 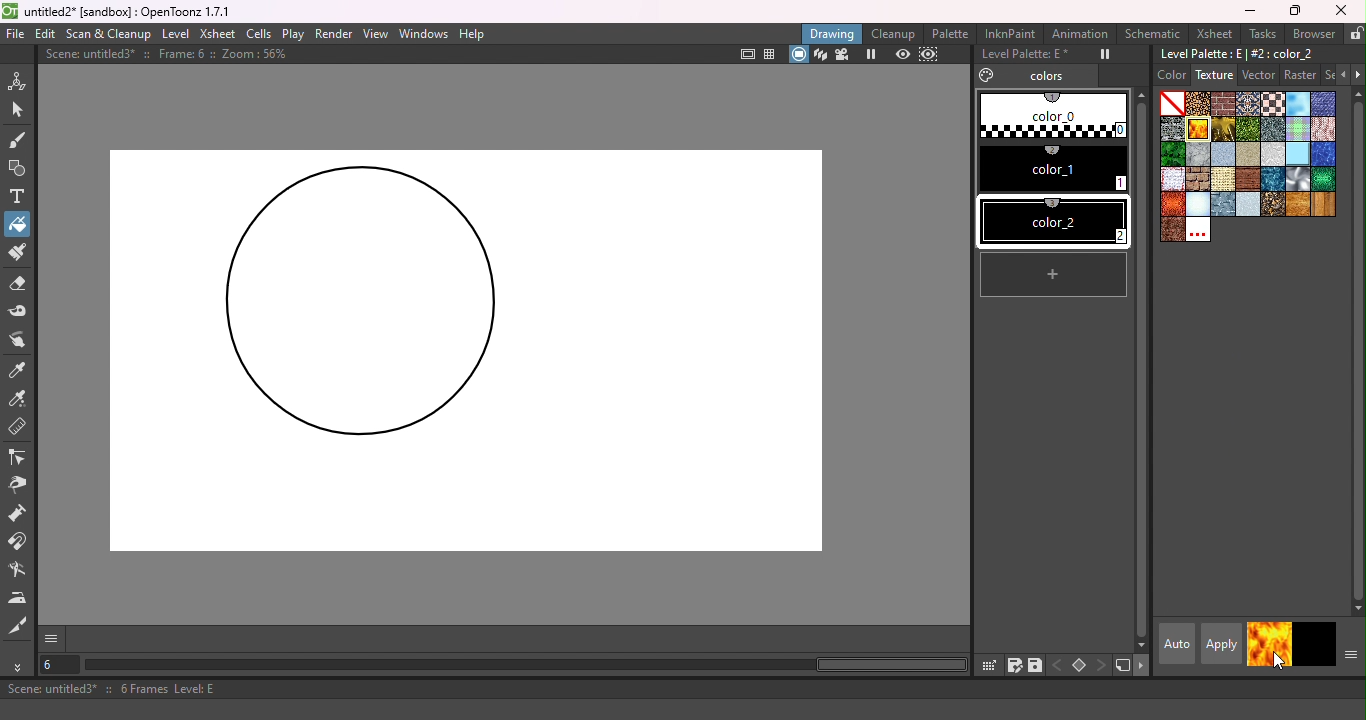 I want to click on Texture, so click(x=1213, y=74).